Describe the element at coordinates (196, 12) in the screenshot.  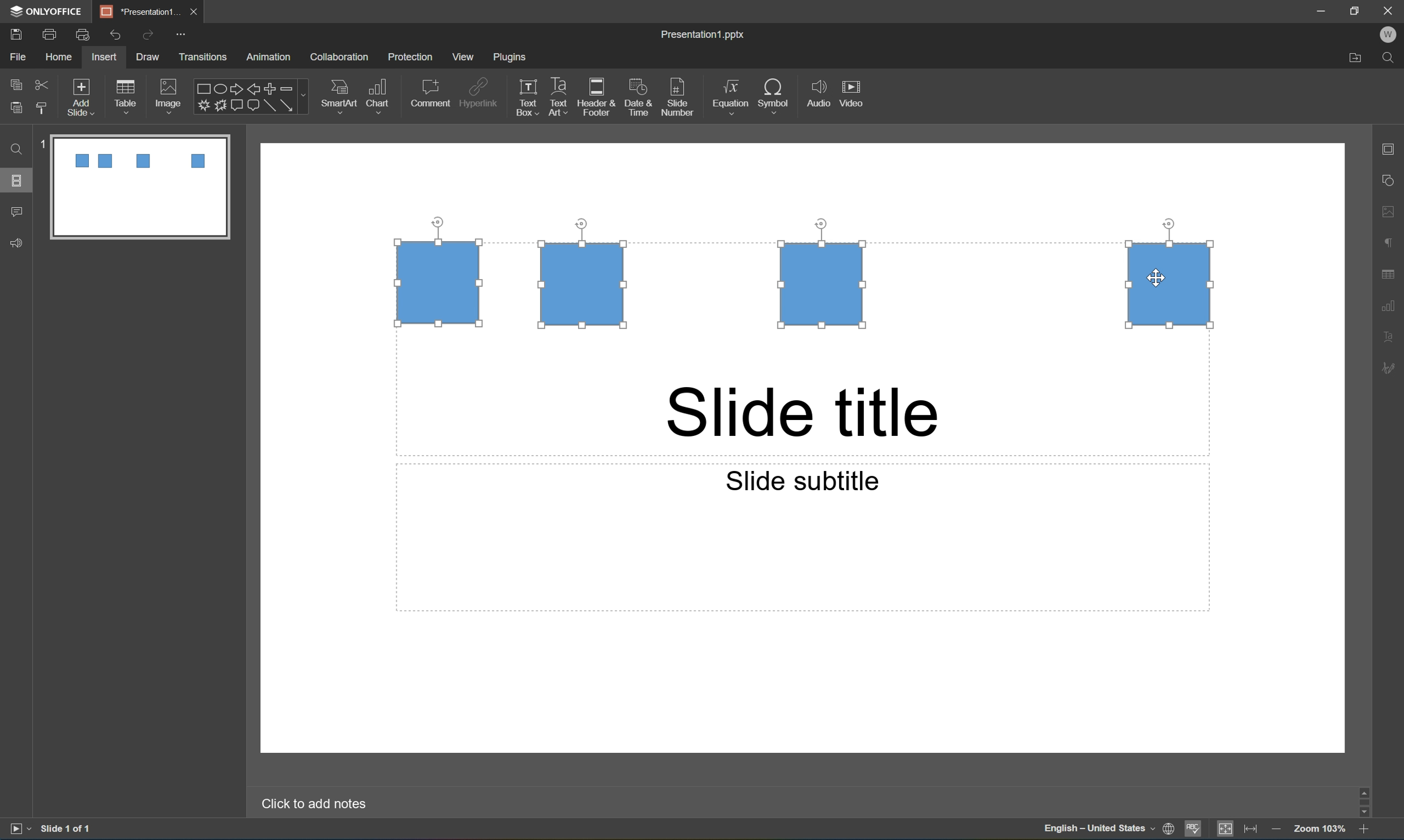
I see `close` at that location.